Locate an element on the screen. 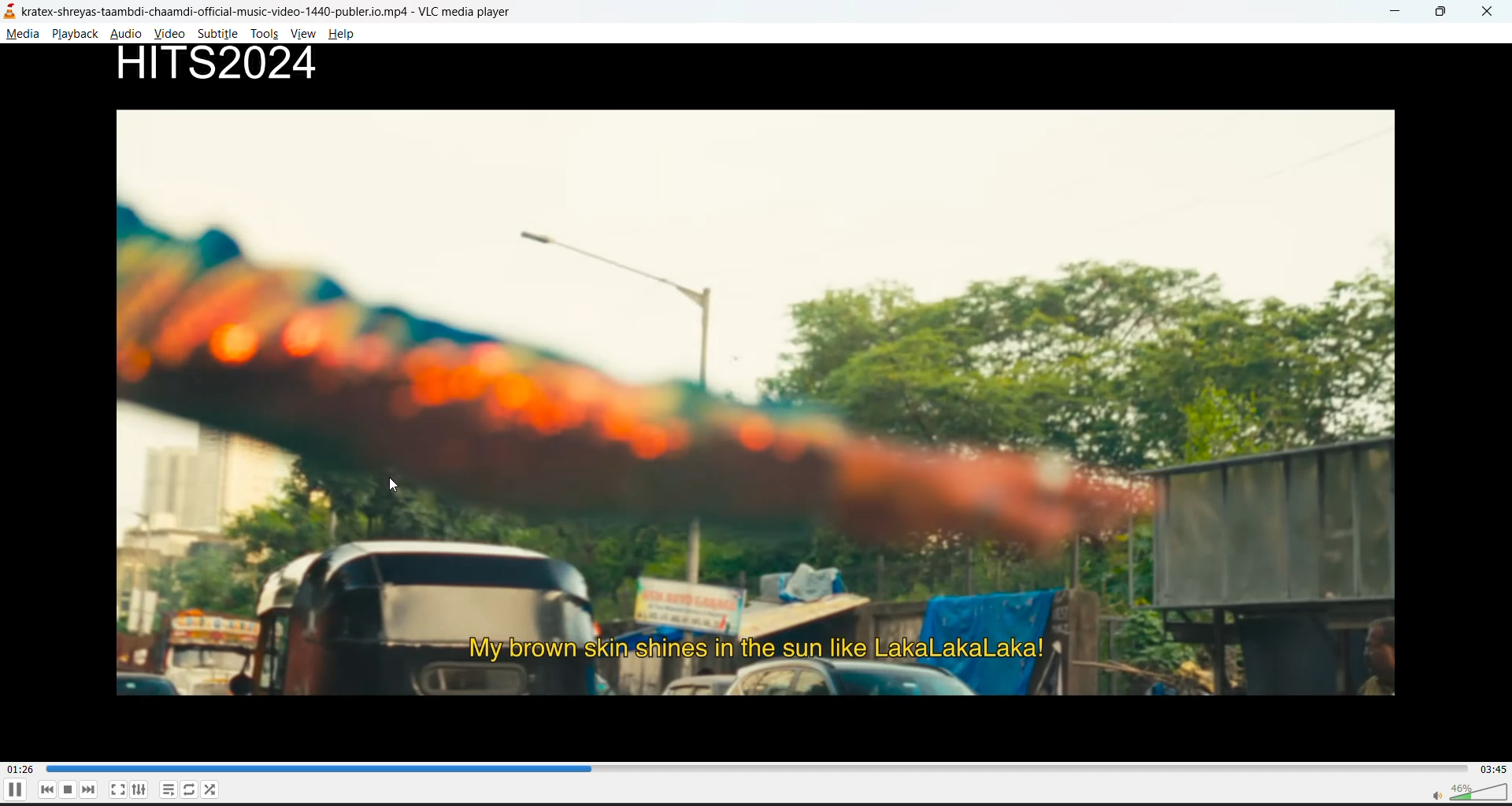 The height and width of the screenshot is (806, 1512). track and app name is located at coordinates (280, 9).